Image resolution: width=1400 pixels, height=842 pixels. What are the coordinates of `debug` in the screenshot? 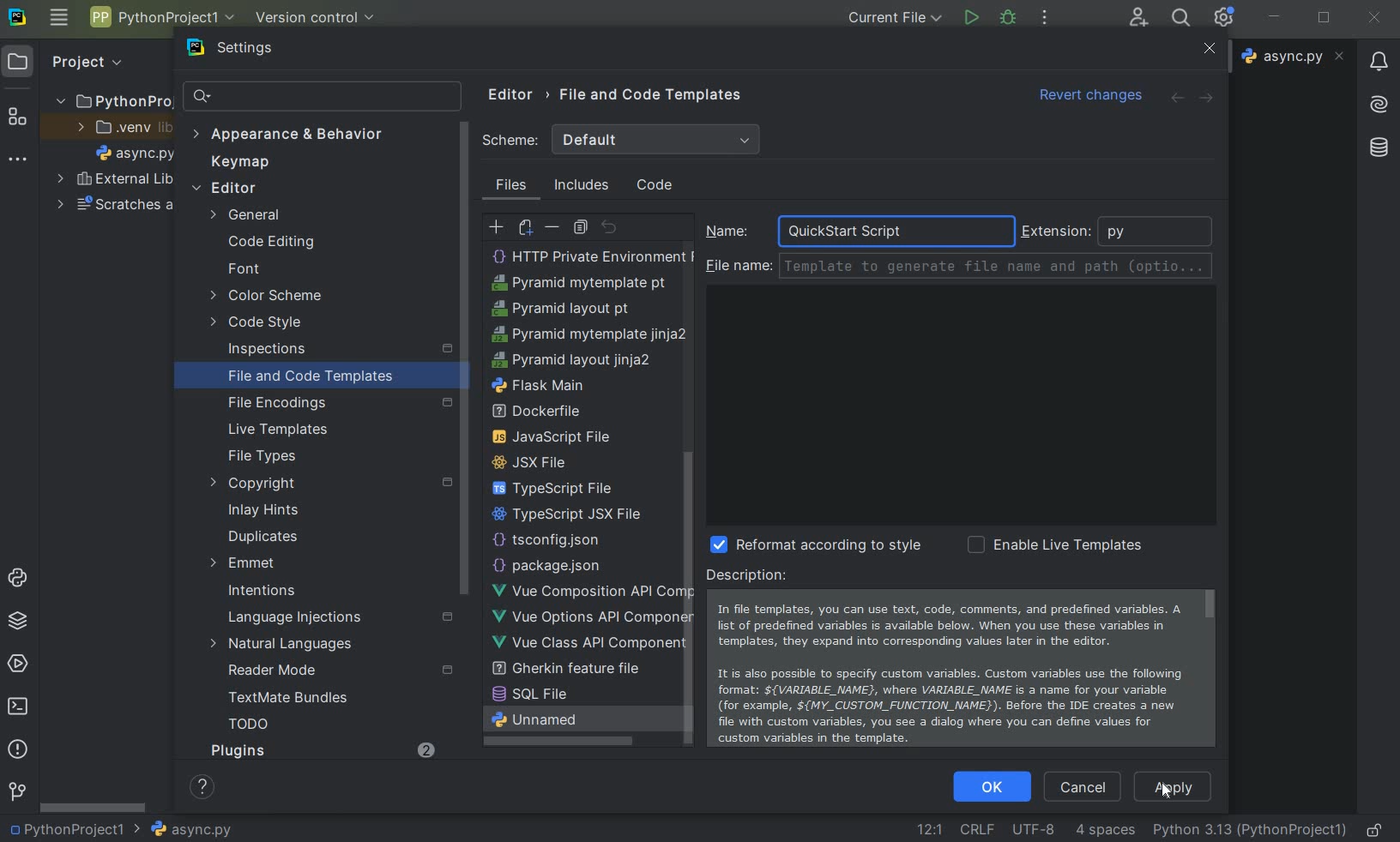 It's located at (1007, 18).